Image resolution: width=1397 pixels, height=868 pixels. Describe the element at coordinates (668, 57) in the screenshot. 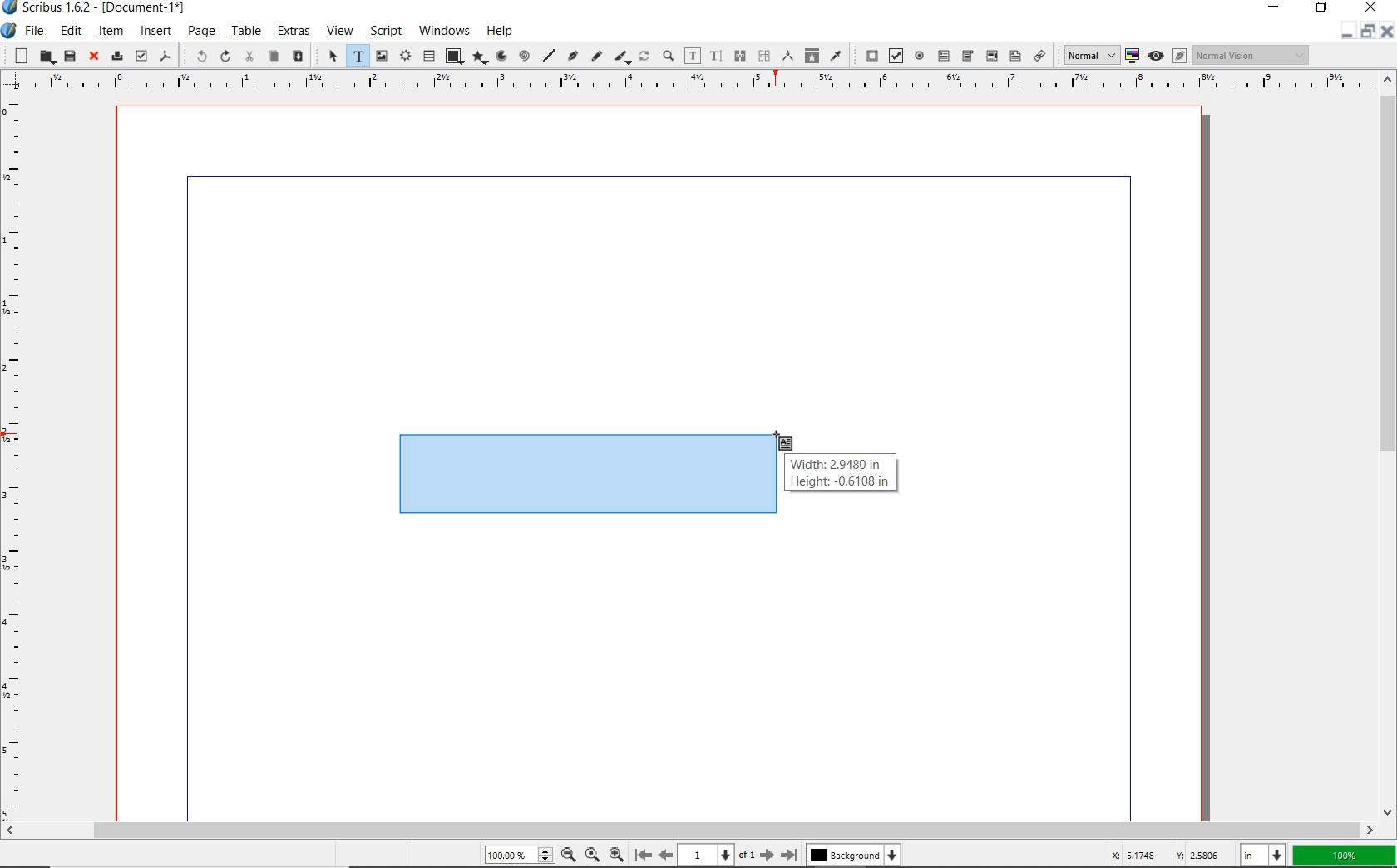

I see `zoom in or zoom out` at that location.